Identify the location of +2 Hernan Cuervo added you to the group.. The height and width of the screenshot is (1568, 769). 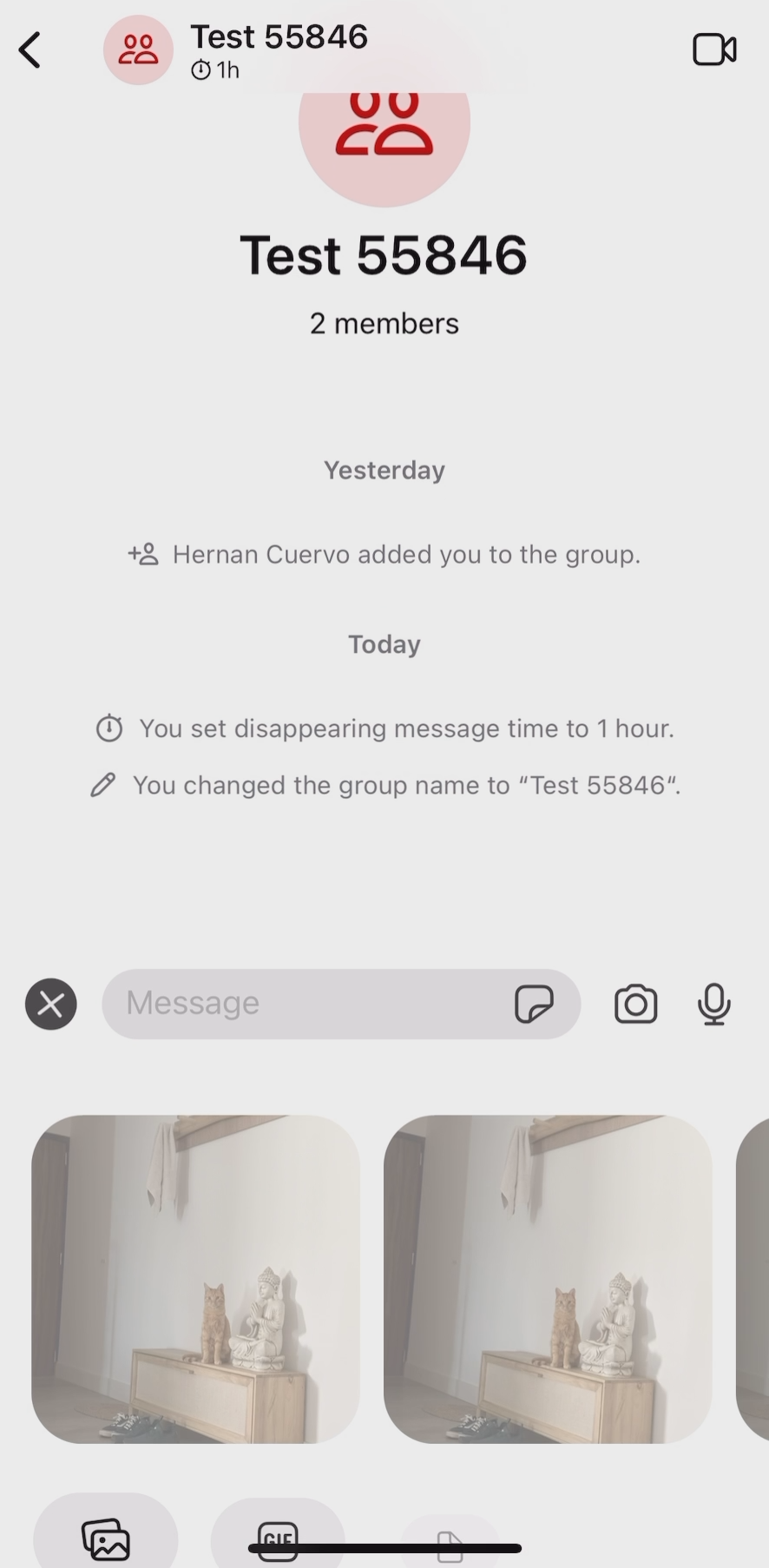
(383, 556).